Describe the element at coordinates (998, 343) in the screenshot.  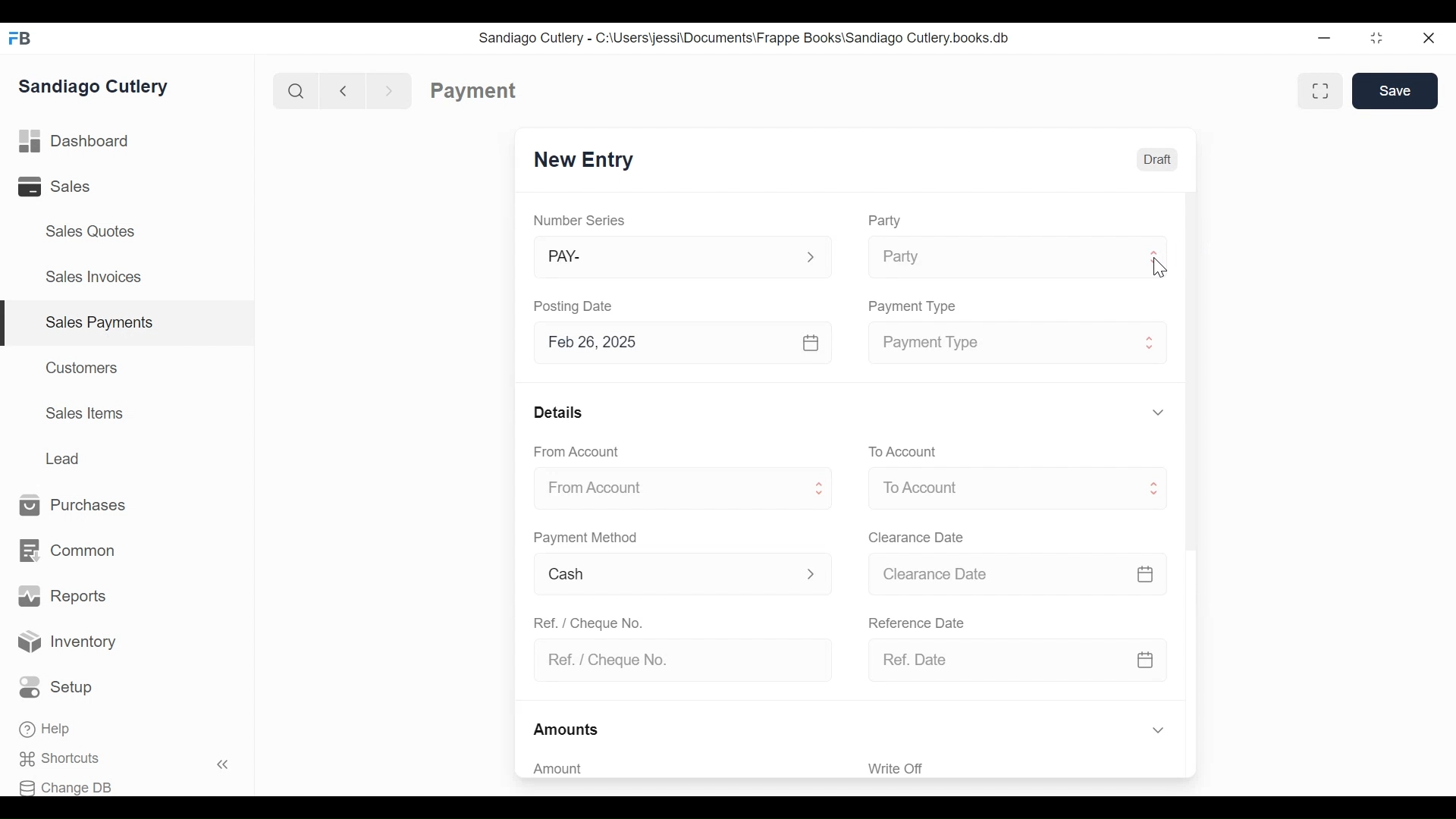
I see `Payment Type` at that location.